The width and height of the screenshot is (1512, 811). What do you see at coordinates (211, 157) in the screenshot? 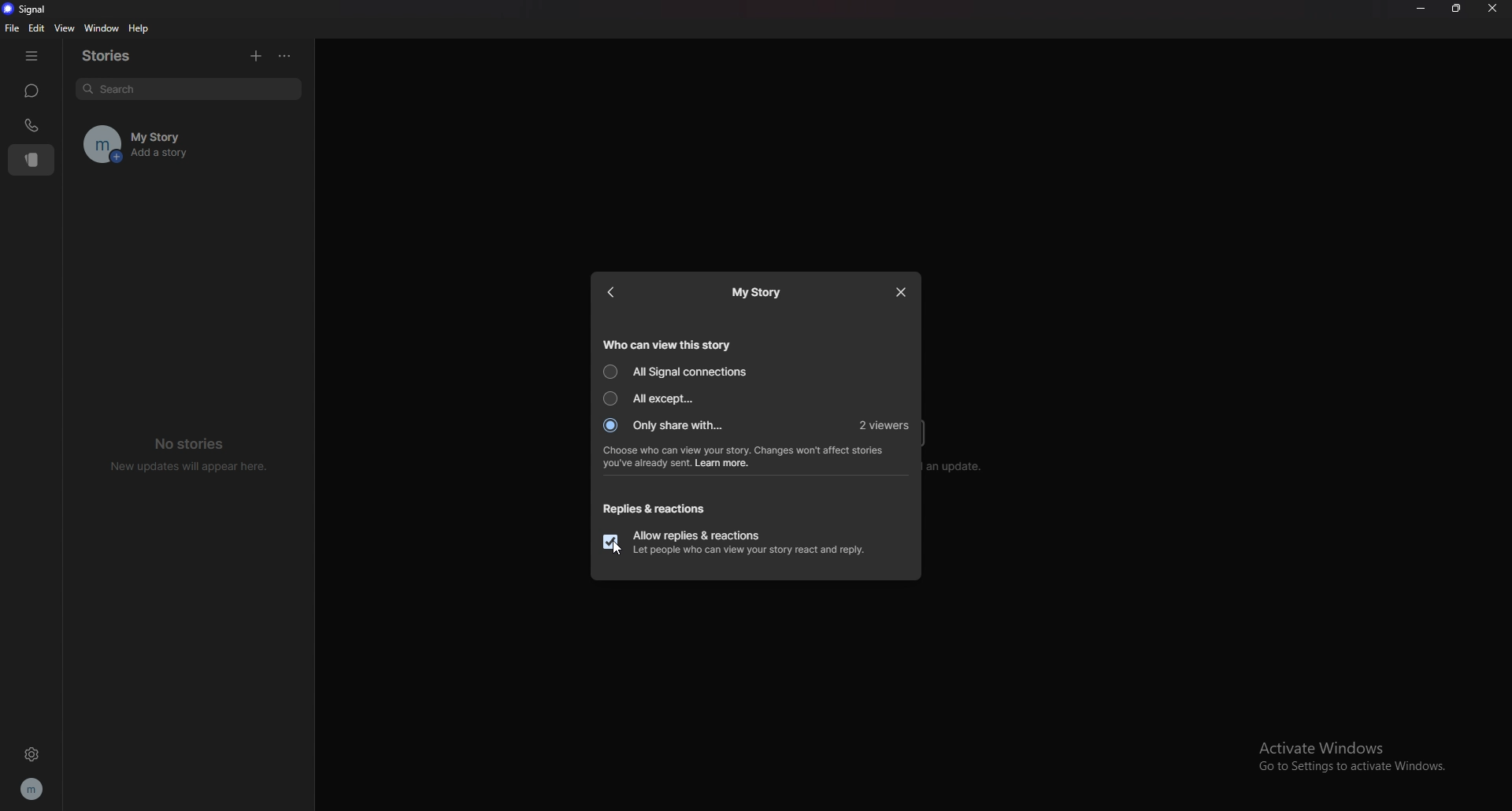
I see `Add a story` at bounding box center [211, 157].